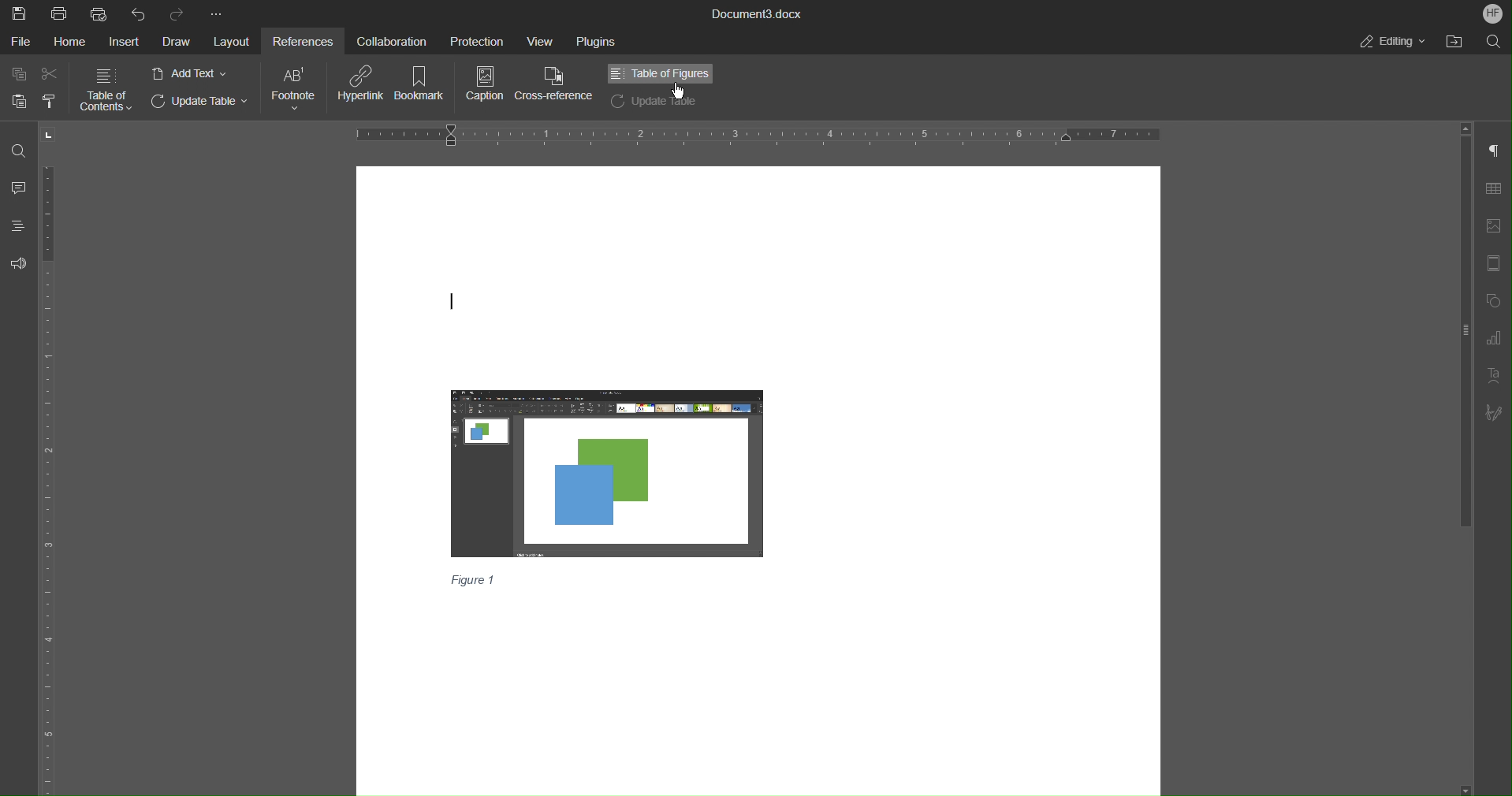 This screenshot has height=796, width=1512. Describe the element at coordinates (60, 13) in the screenshot. I see `Print` at that location.